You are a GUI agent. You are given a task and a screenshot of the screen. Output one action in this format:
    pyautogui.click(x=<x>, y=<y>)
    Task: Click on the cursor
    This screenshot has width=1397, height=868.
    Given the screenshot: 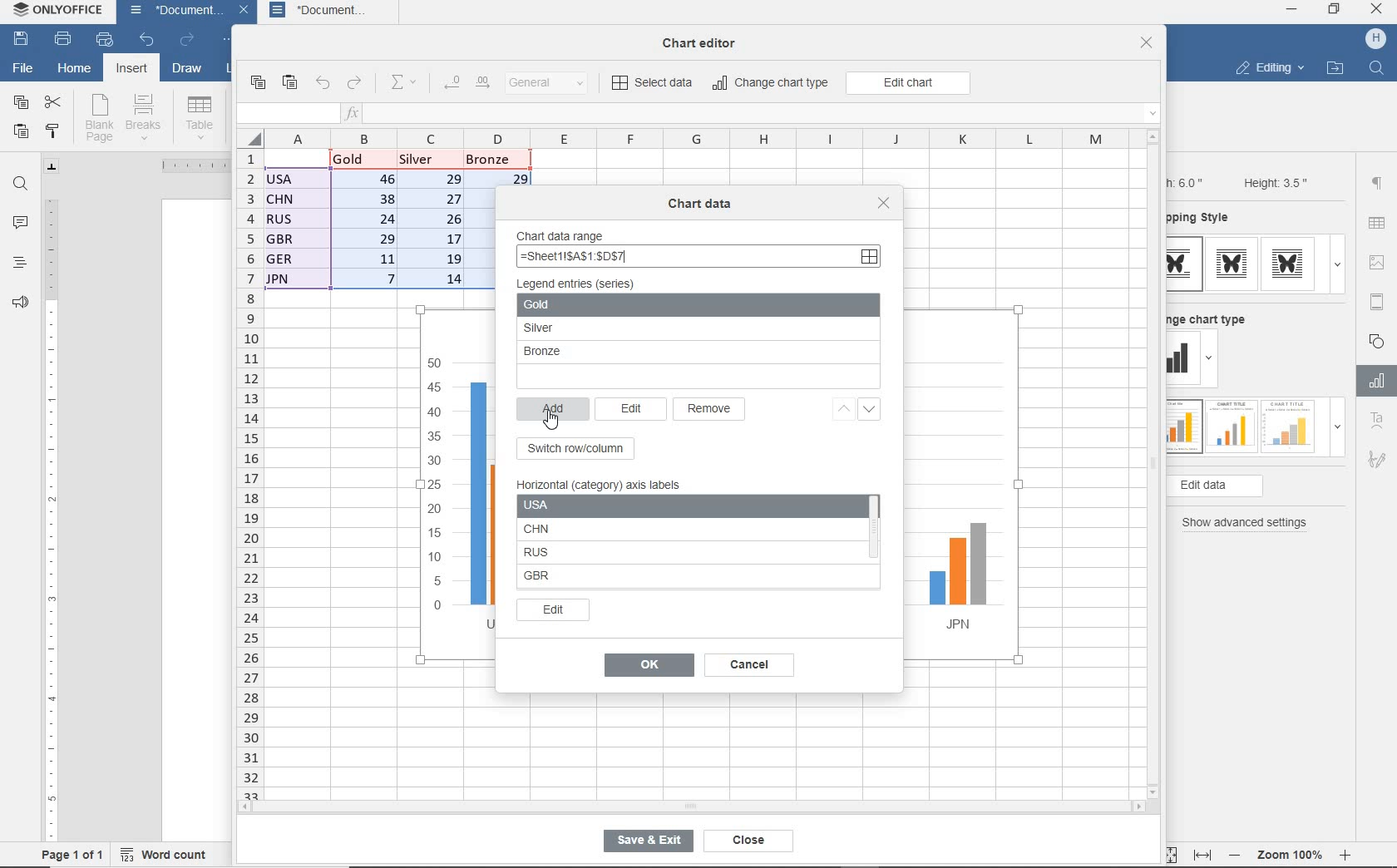 What is the action you would take?
    pyautogui.click(x=561, y=428)
    